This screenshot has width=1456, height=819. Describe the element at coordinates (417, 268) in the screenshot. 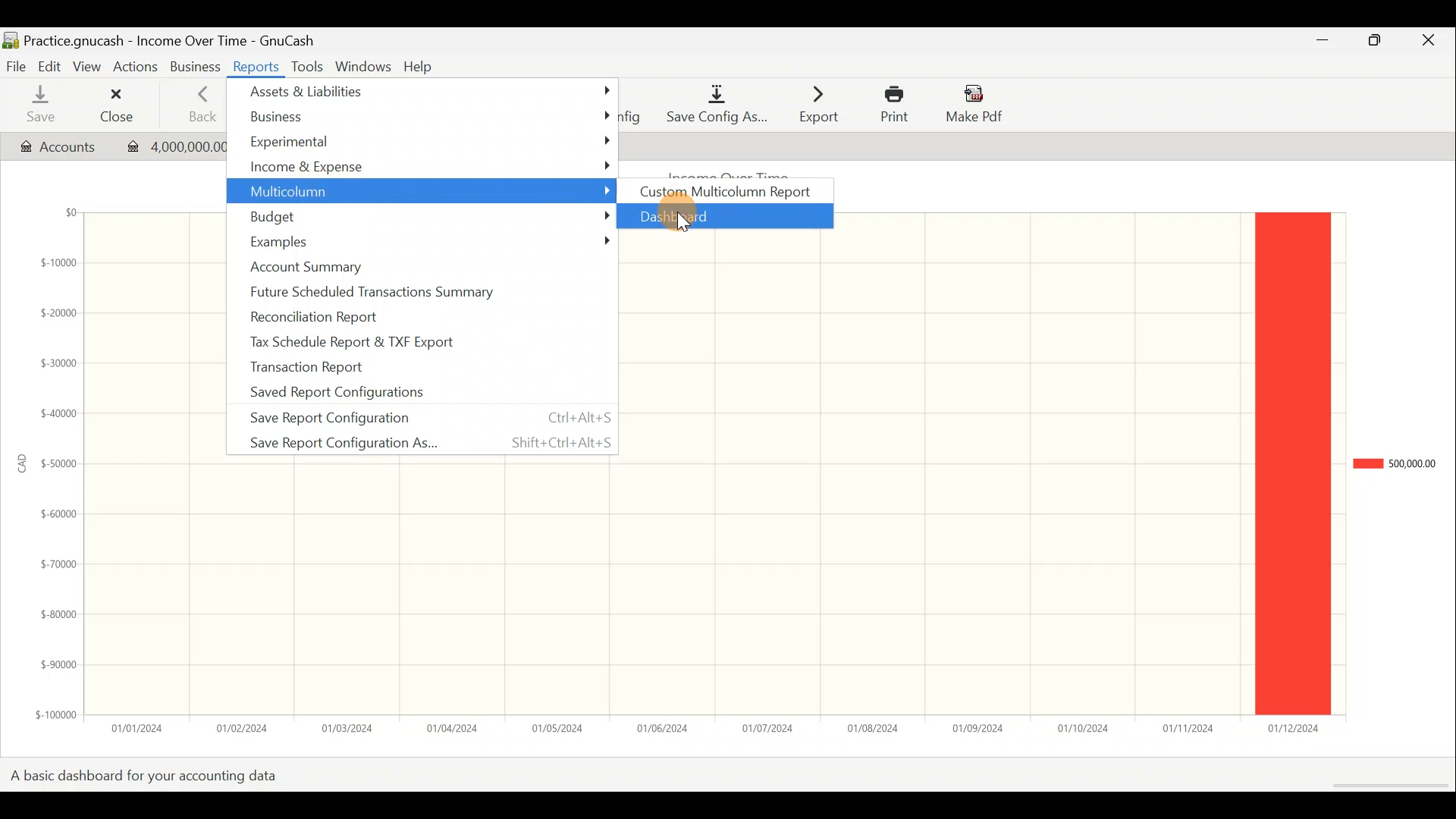

I see `Account summary` at that location.